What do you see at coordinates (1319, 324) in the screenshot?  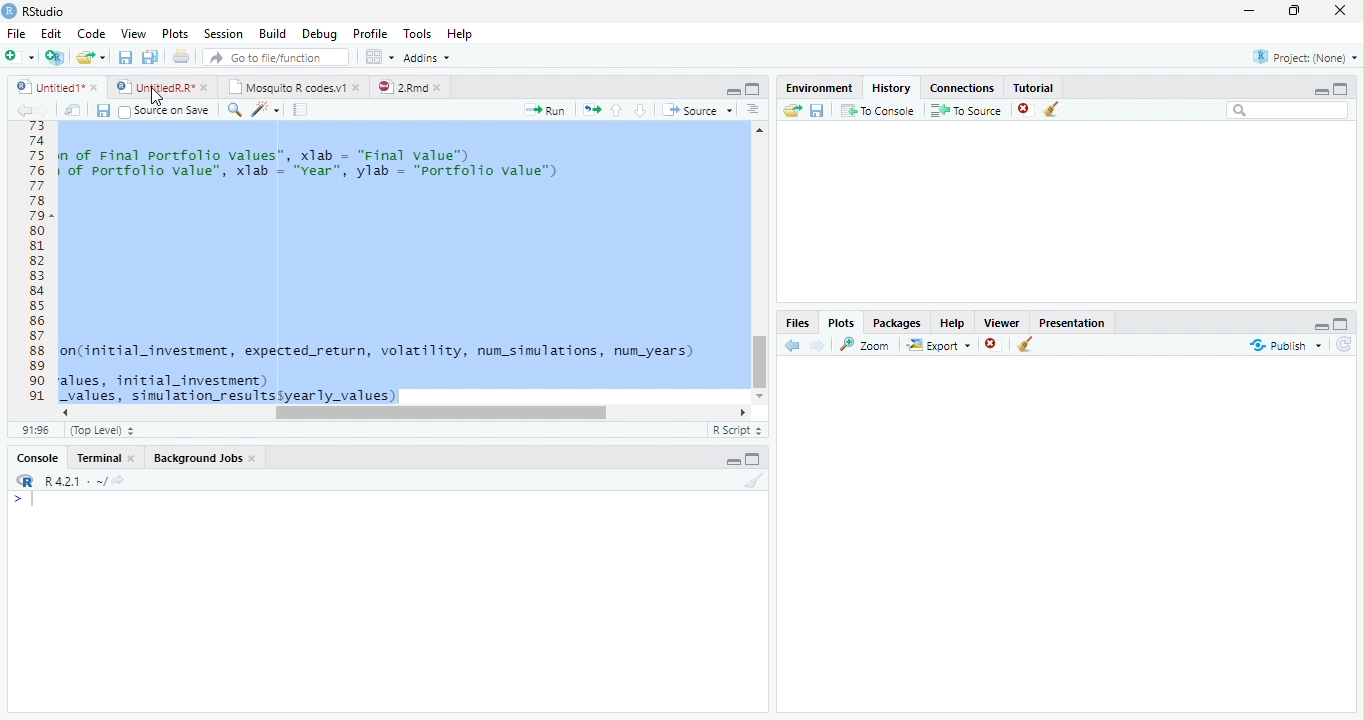 I see `Hide` at bounding box center [1319, 324].